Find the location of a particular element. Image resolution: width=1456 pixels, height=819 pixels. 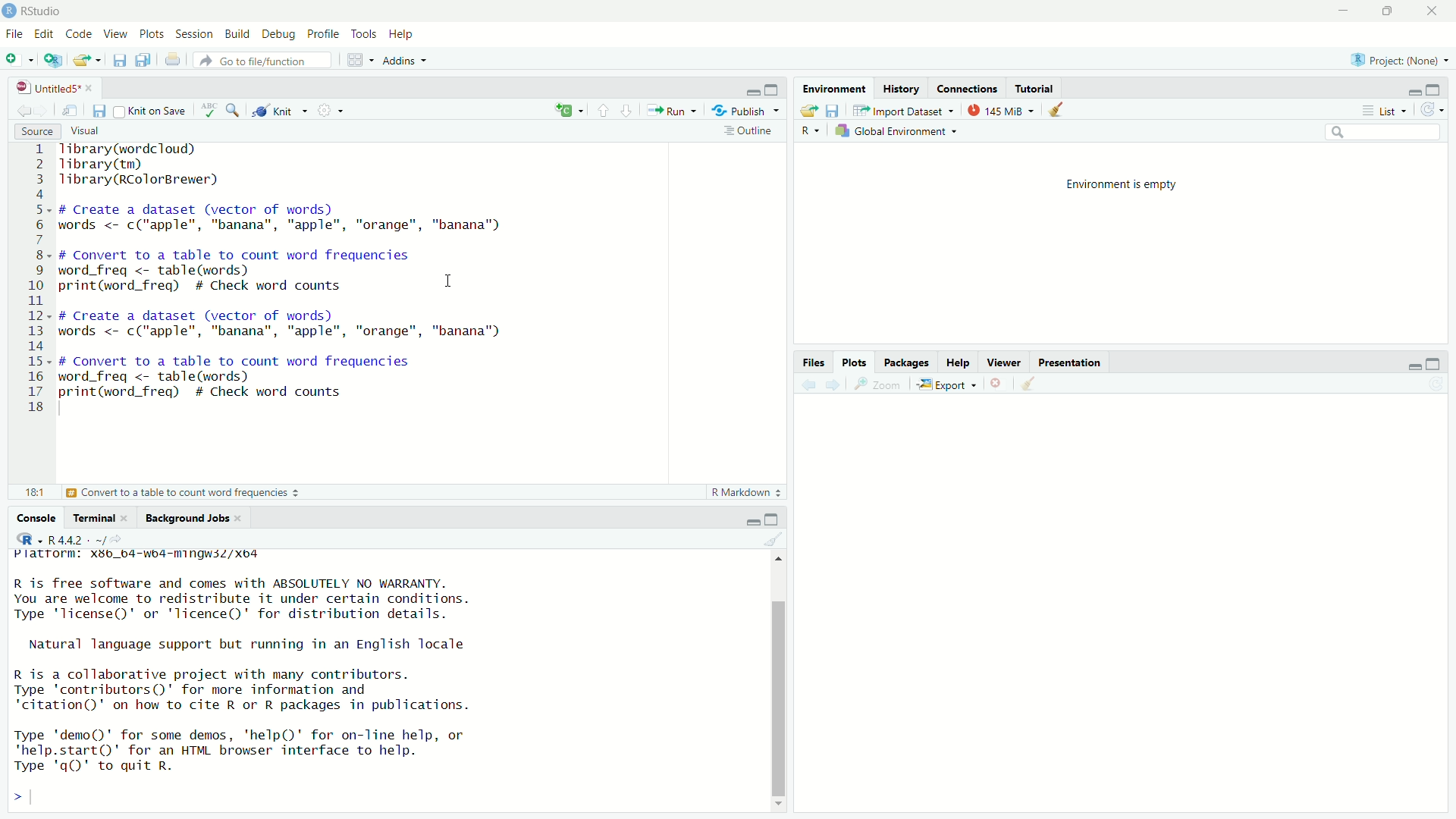

Plots is located at coordinates (855, 362).